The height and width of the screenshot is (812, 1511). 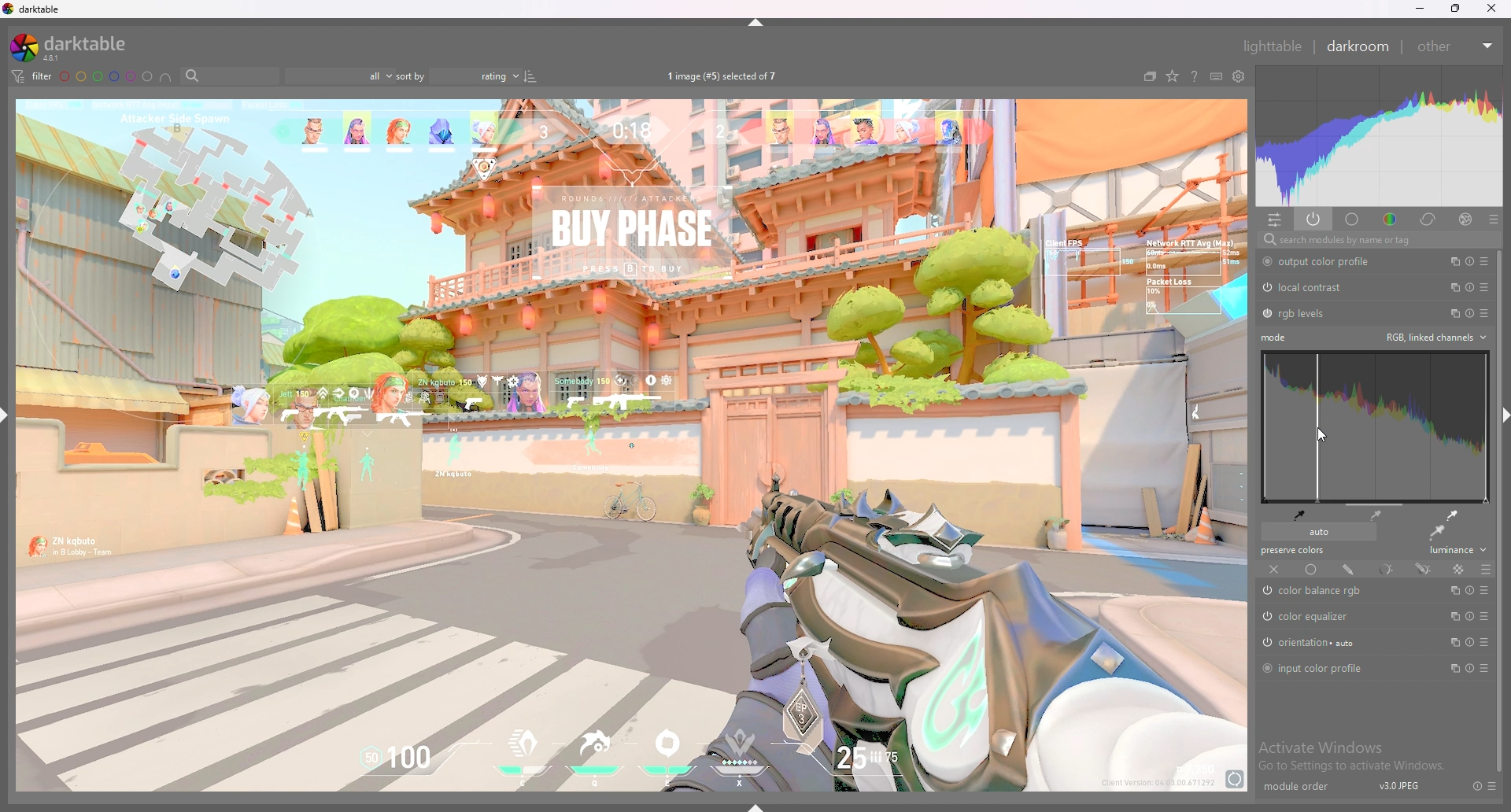 What do you see at coordinates (1485, 642) in the screenshot?
I see `preset` at bounding box center [1485, 642].